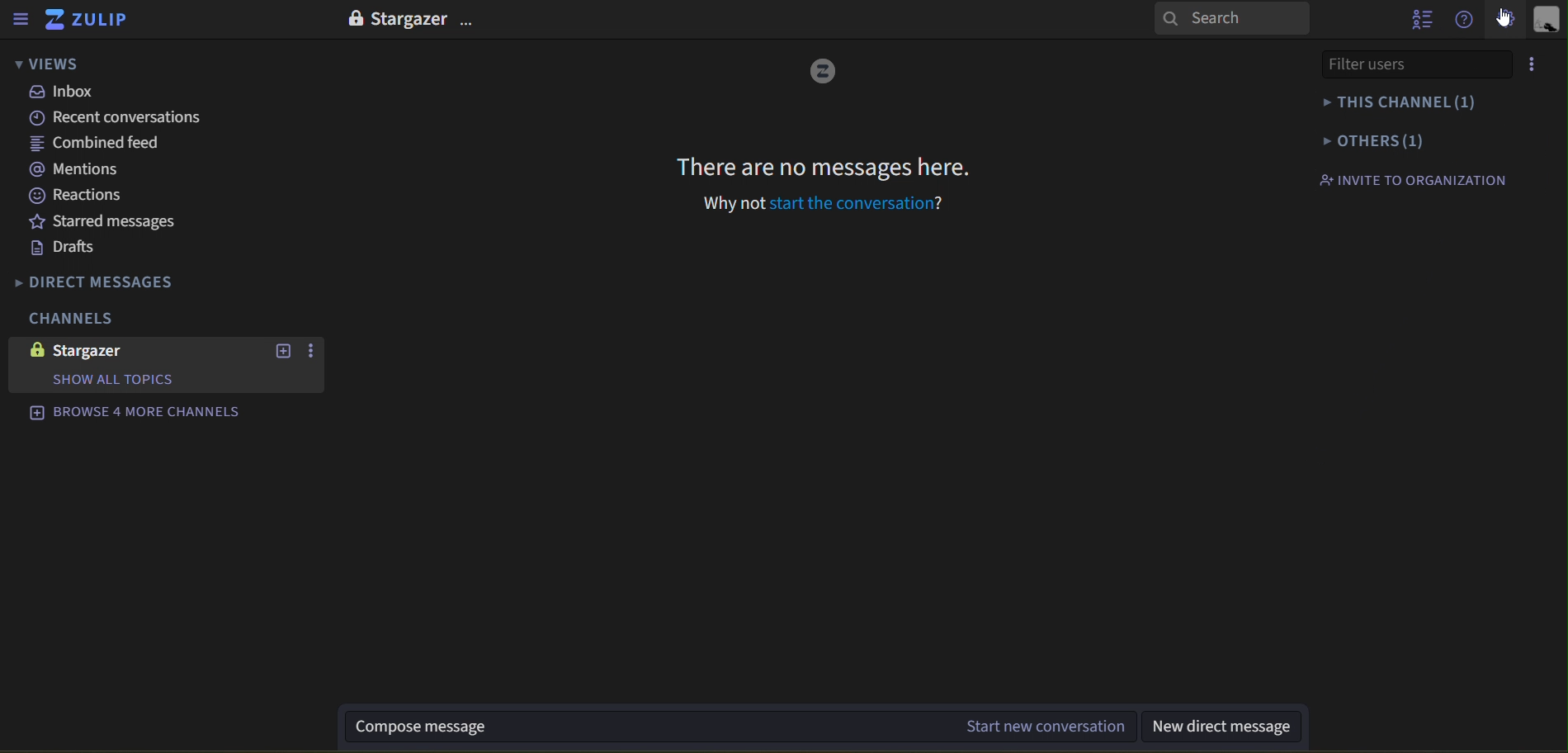 The image size is (1568, 753). What do you see at coordinates (97, 144) in the screenshot?
I see `combined feed` at bounding box center [97, 144].